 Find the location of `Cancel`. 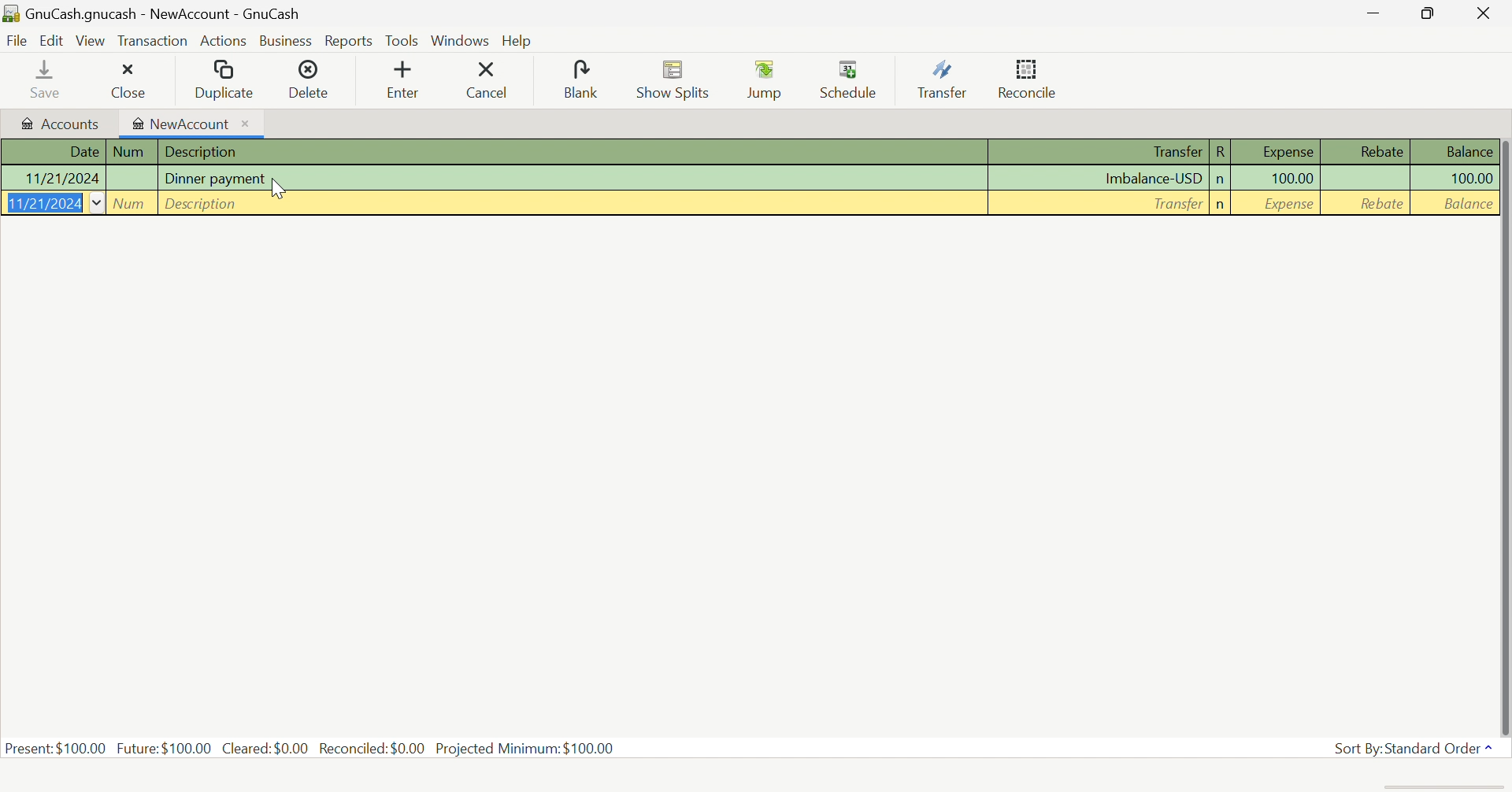

Cancel is located at coordinates (498, 80).